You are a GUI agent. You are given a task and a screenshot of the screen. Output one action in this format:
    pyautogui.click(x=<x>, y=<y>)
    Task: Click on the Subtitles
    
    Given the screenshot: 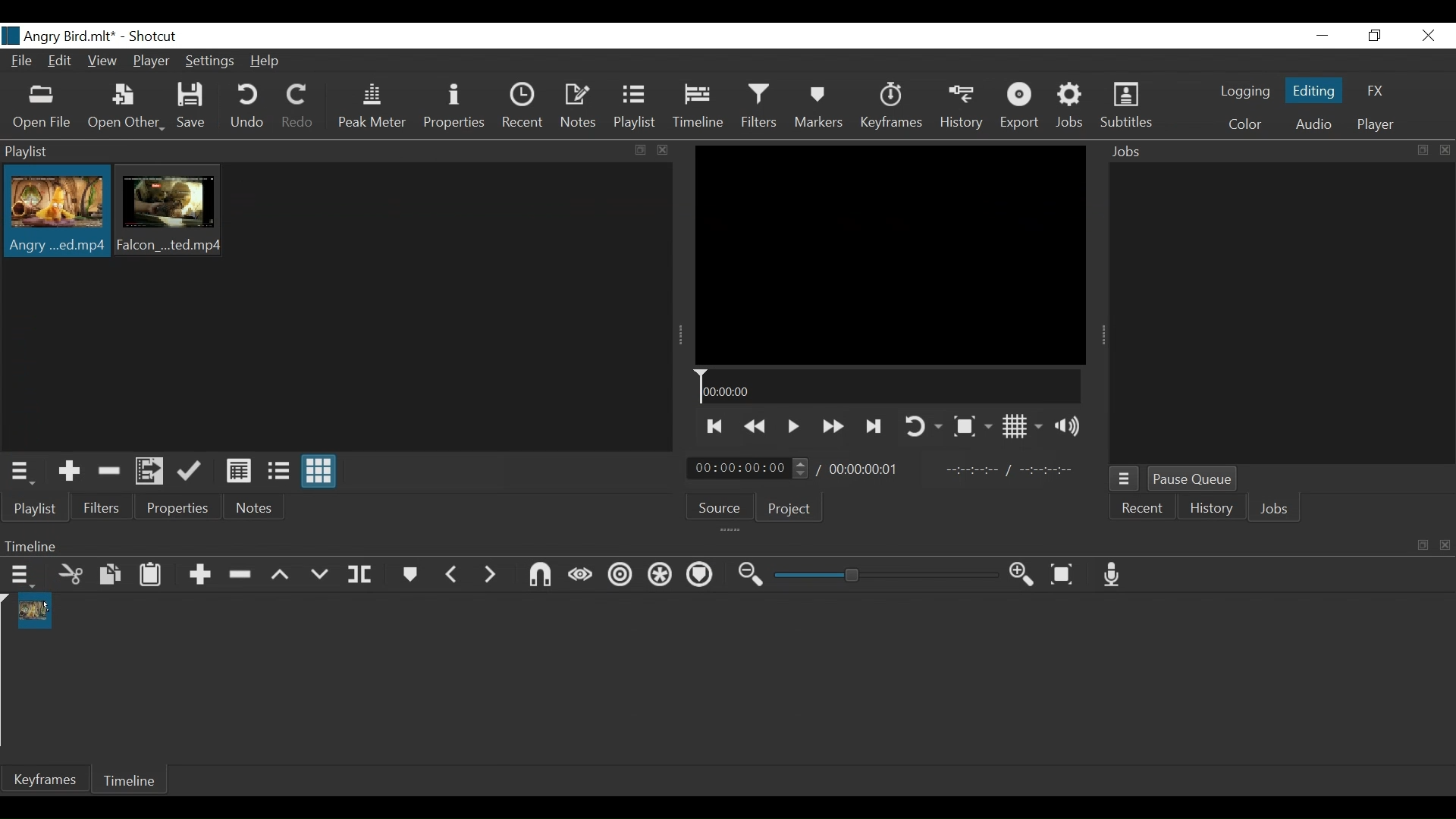 What is the action you would take?
    pyautogui.click(x=1129, y=107)
    